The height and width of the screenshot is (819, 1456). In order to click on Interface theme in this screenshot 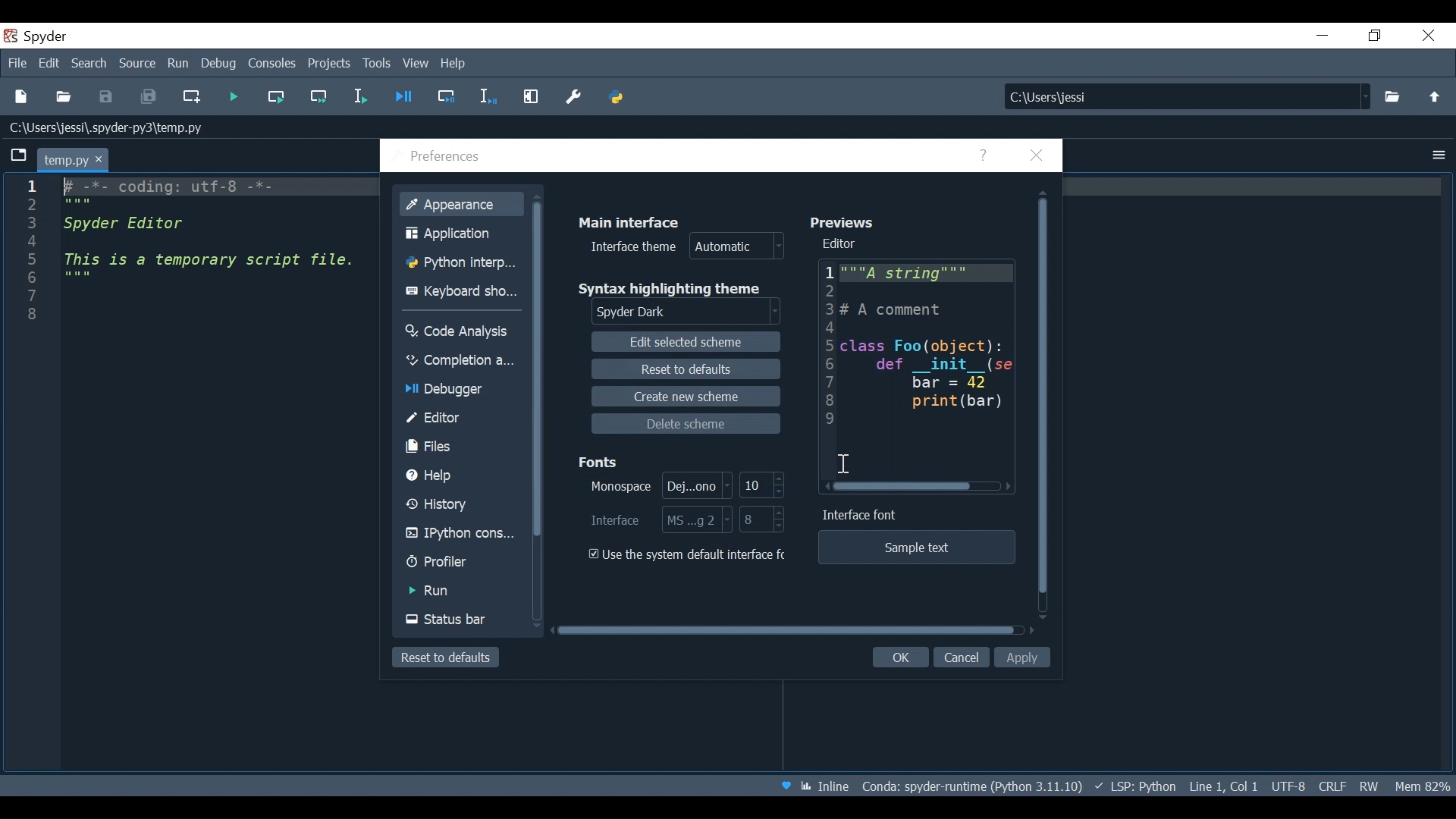, I will do `click(683, 247)`.